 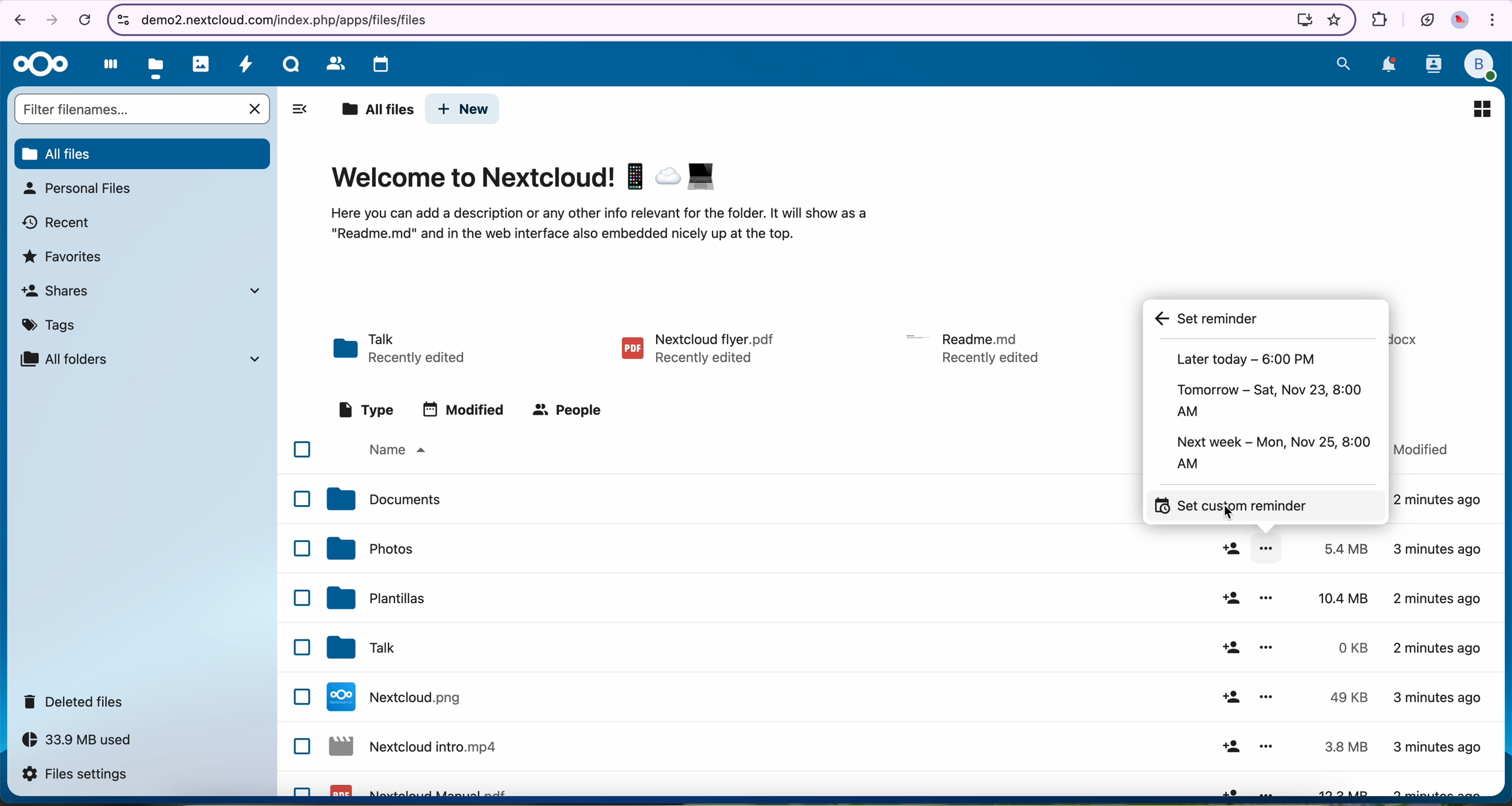 What do you see at coordinates (49, 327) in the screenshot?
I see `tags` at bounding box center [49, 327].